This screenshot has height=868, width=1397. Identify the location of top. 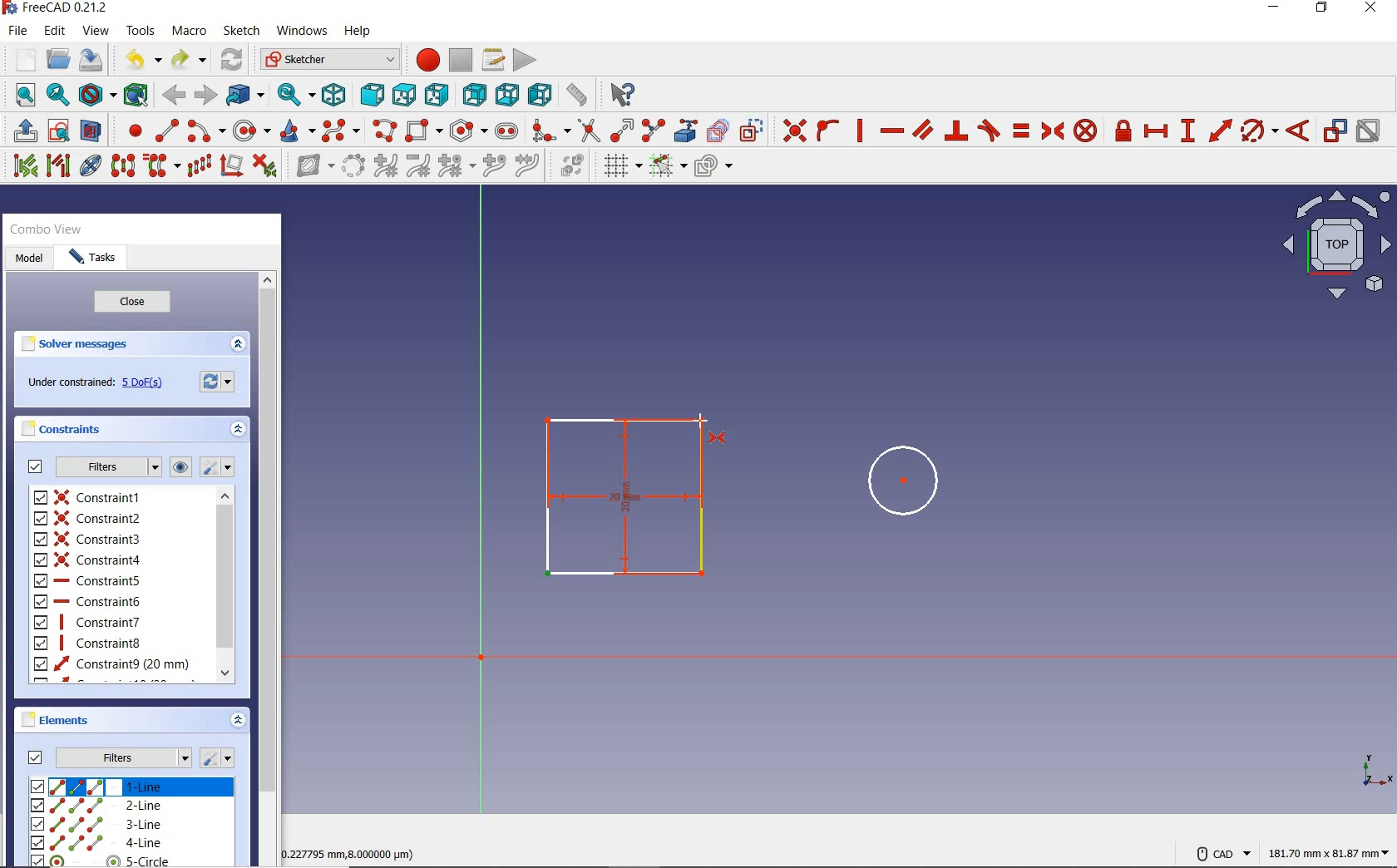
(404, 96).